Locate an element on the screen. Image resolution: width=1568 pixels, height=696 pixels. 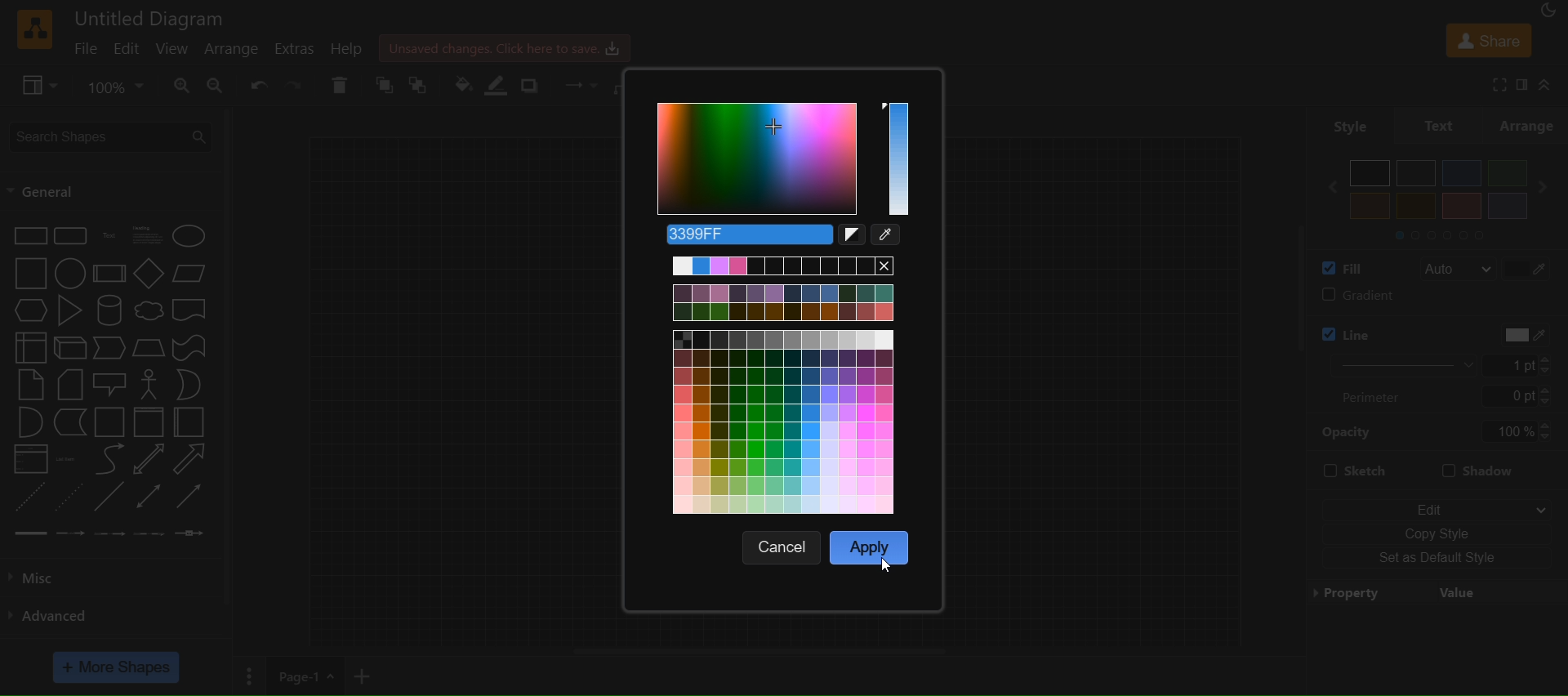
curve is located at coordinates (109, 461).